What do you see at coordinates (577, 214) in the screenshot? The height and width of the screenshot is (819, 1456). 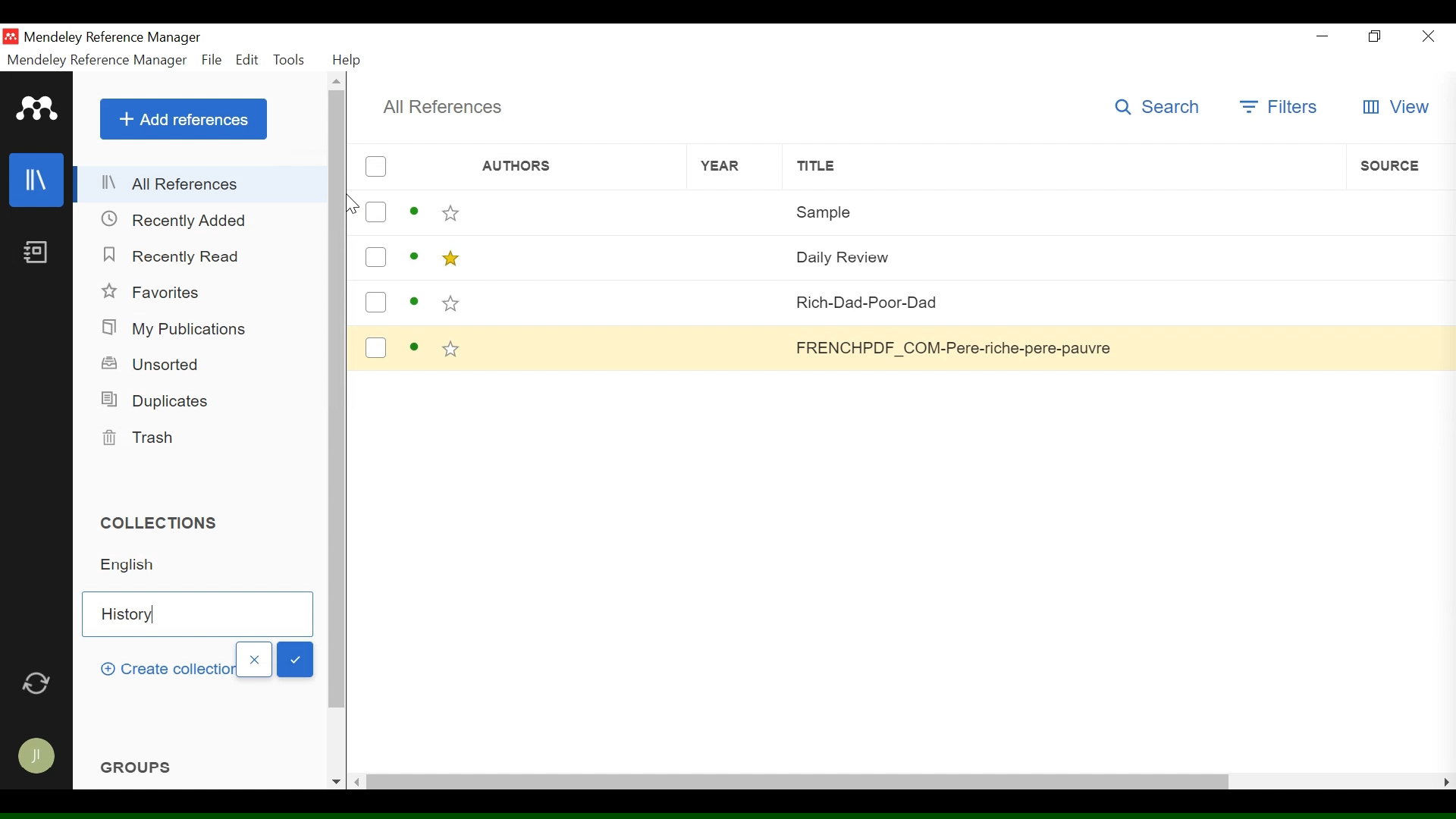 I see `Authors` at bounding box center [577, 214].